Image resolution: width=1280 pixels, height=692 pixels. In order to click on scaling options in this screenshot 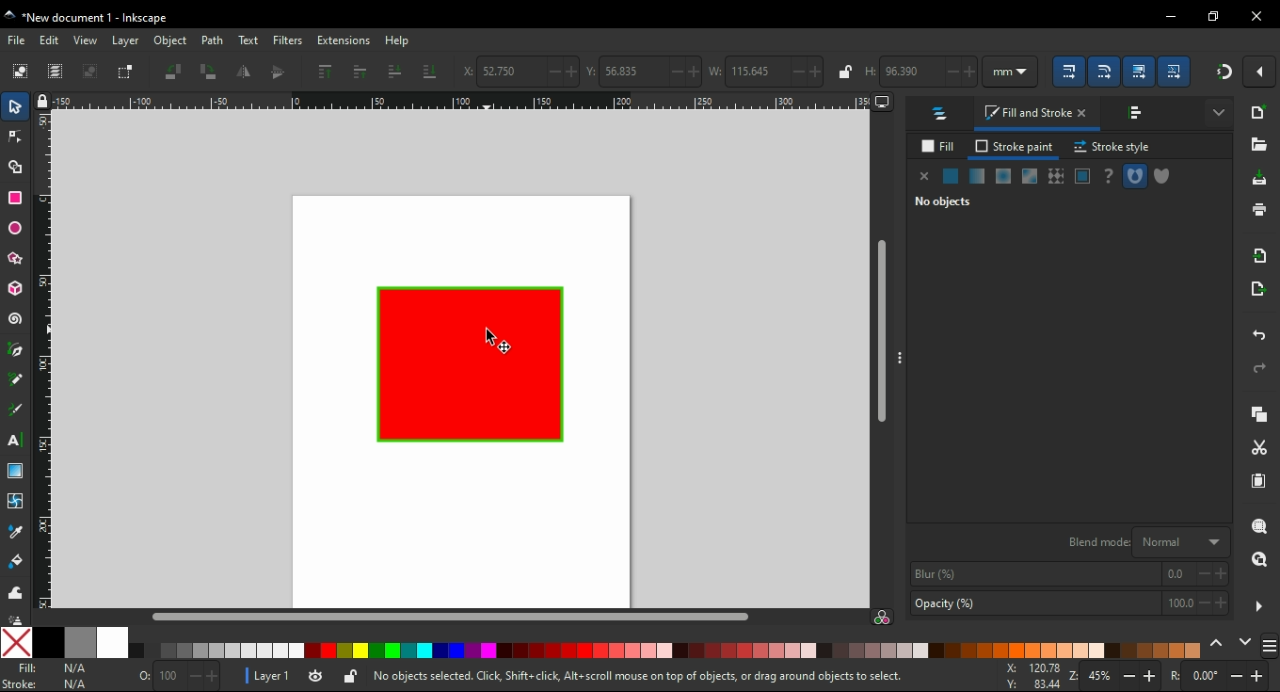, I will do `click(1068, 69)`.